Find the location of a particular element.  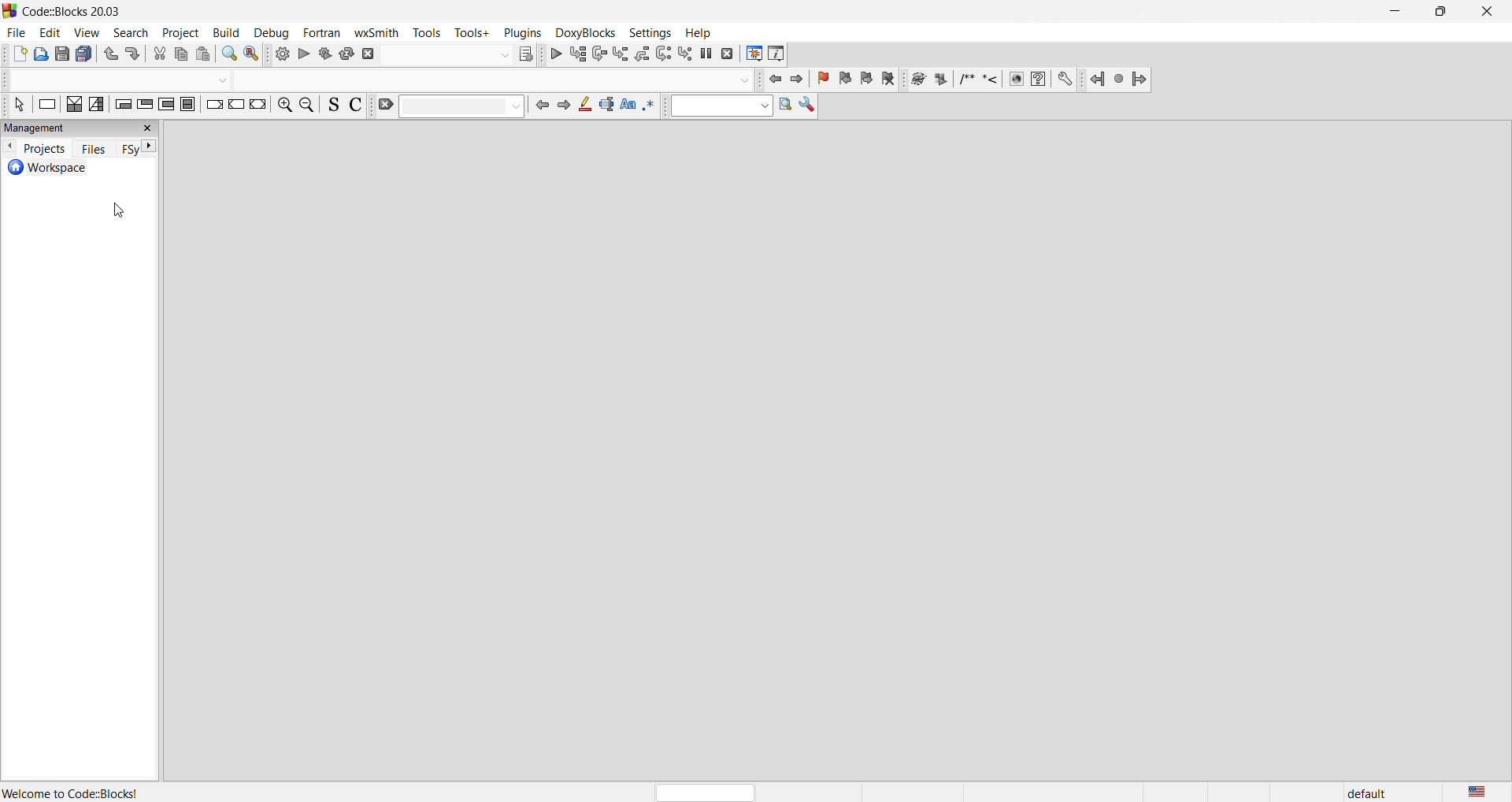

next line is located at coordinates (598, 55).